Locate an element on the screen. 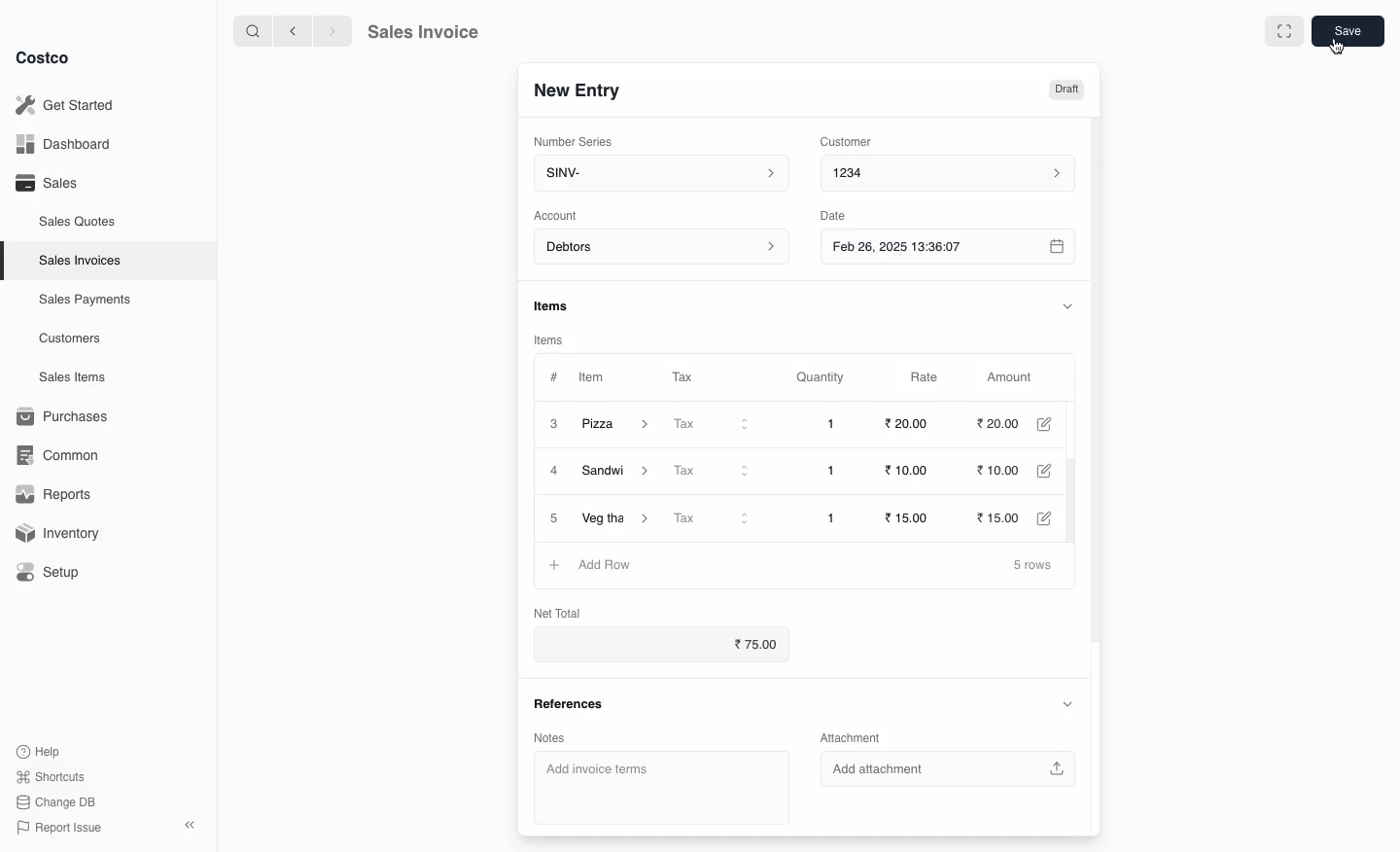 Image resolution: width=1400 pixels, height=852 pixels. Tax is located at coordinates (682, 373).